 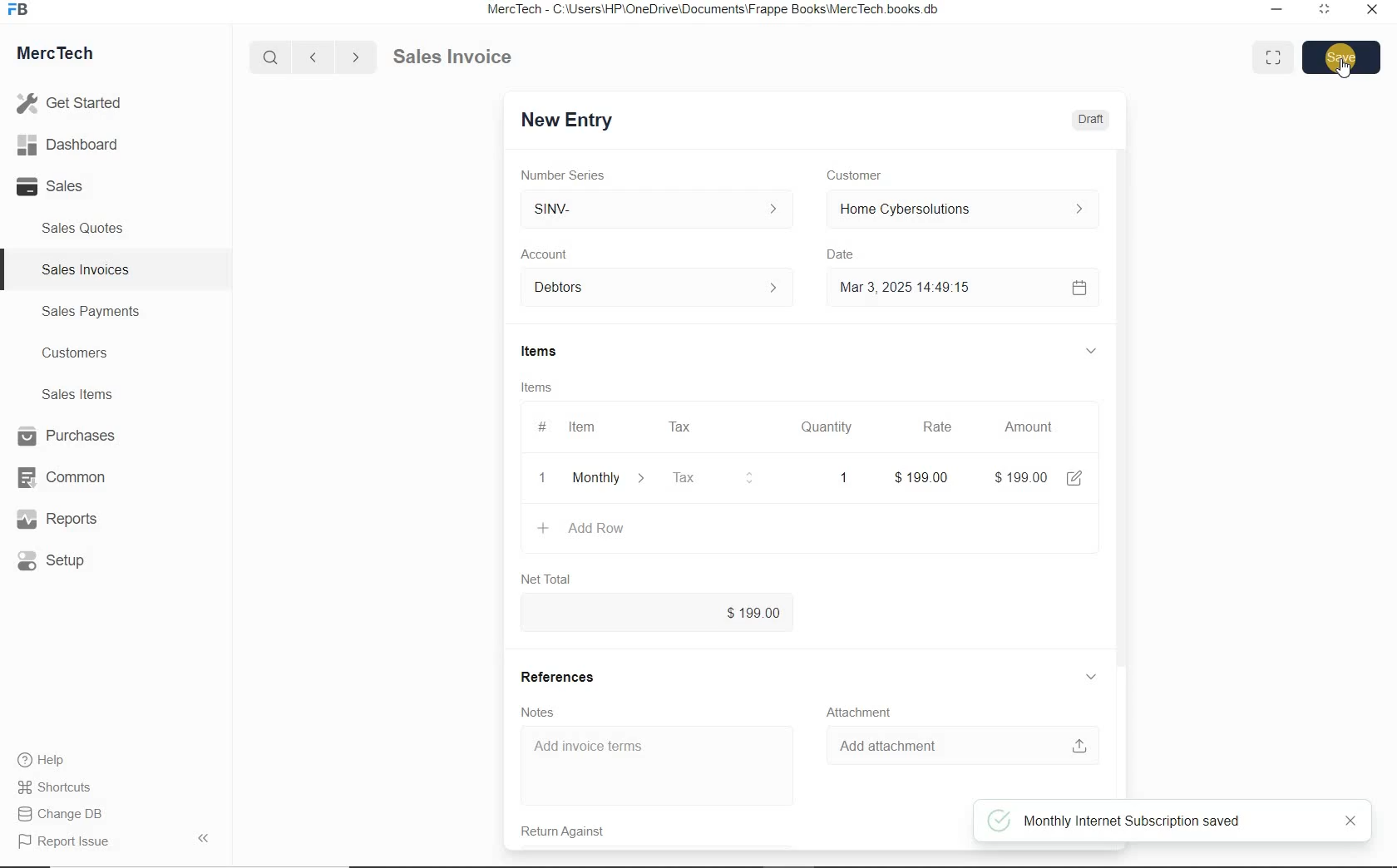 I want to click on Add invoice terms, so click(x=660, y=767).